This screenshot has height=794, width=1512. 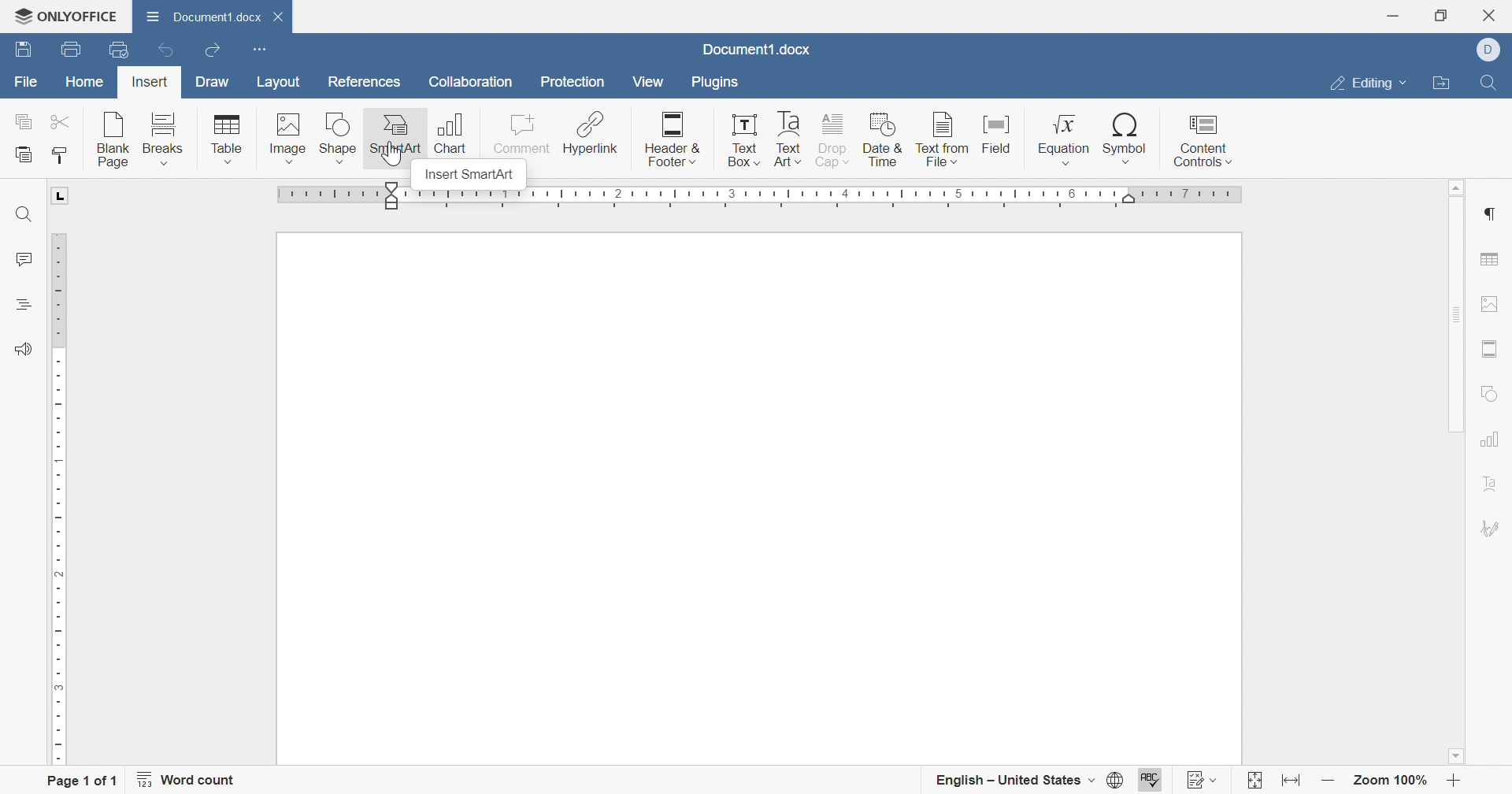 What do you see at coordinates (162, 50) in the screenshot?
I see `Undo` at bounding box center [162, 50].